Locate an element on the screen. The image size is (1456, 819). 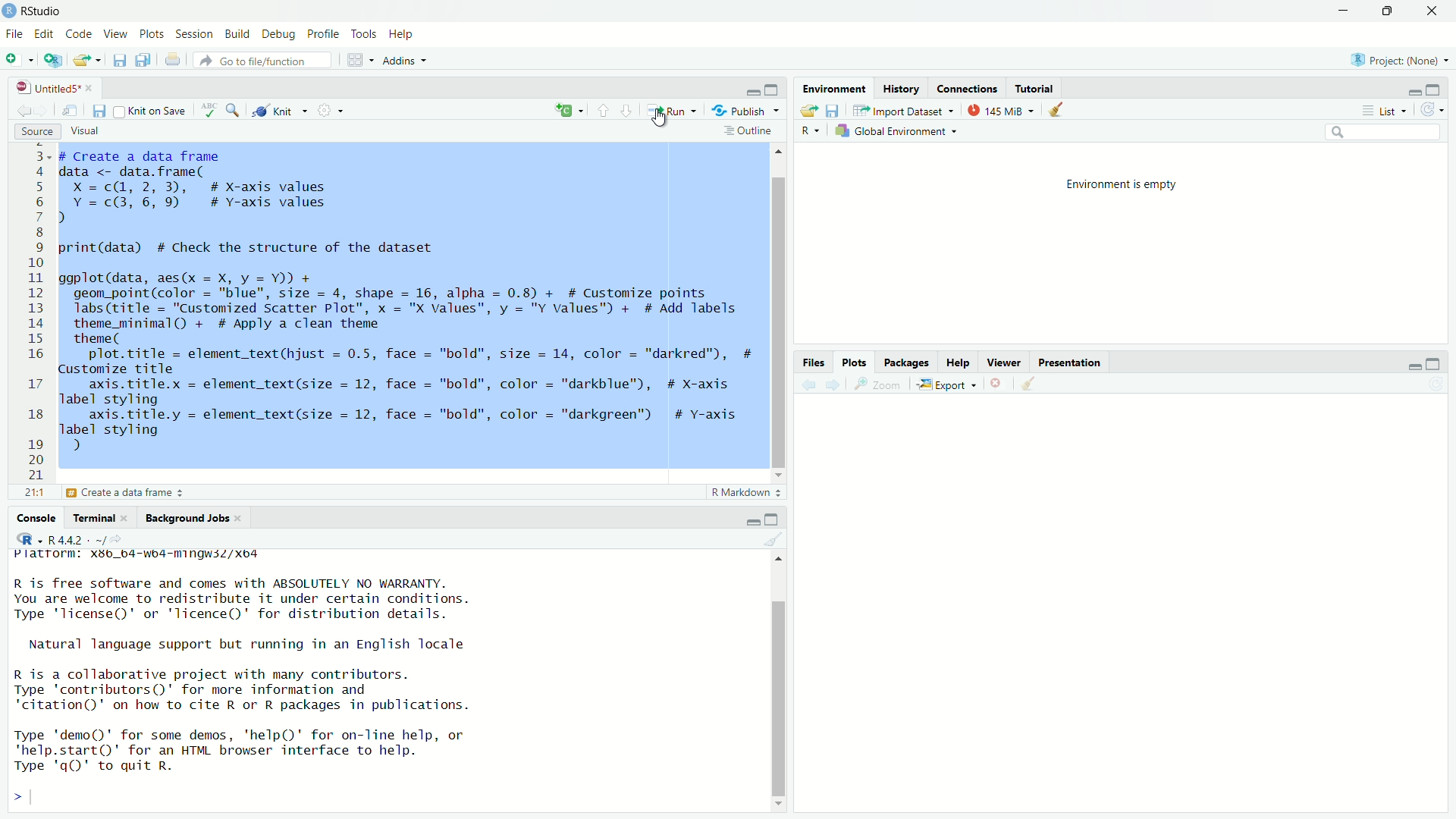
Platrorm: Xs8b_b4-wb4-mingwsZ/Xxo4

R is free software and comes with ABSOLUTELY NO WARRANTY.

You are welcome to redistribute it under certain conditions.

Type 'license()' or 'licence()' for distribution details.
Natural language support but running in an English locale

R is a collaborative project with many contributors.

Type 'contributors()' for more information and

‘citation()' on how to cite R or R packages in publications.

Type 'demo()' for some demos, 'help()' for on-line help, or

*help.start()' for an HTML browser interface to help.

Type 'q()' to quit R. is located at coordinates (256, 659).